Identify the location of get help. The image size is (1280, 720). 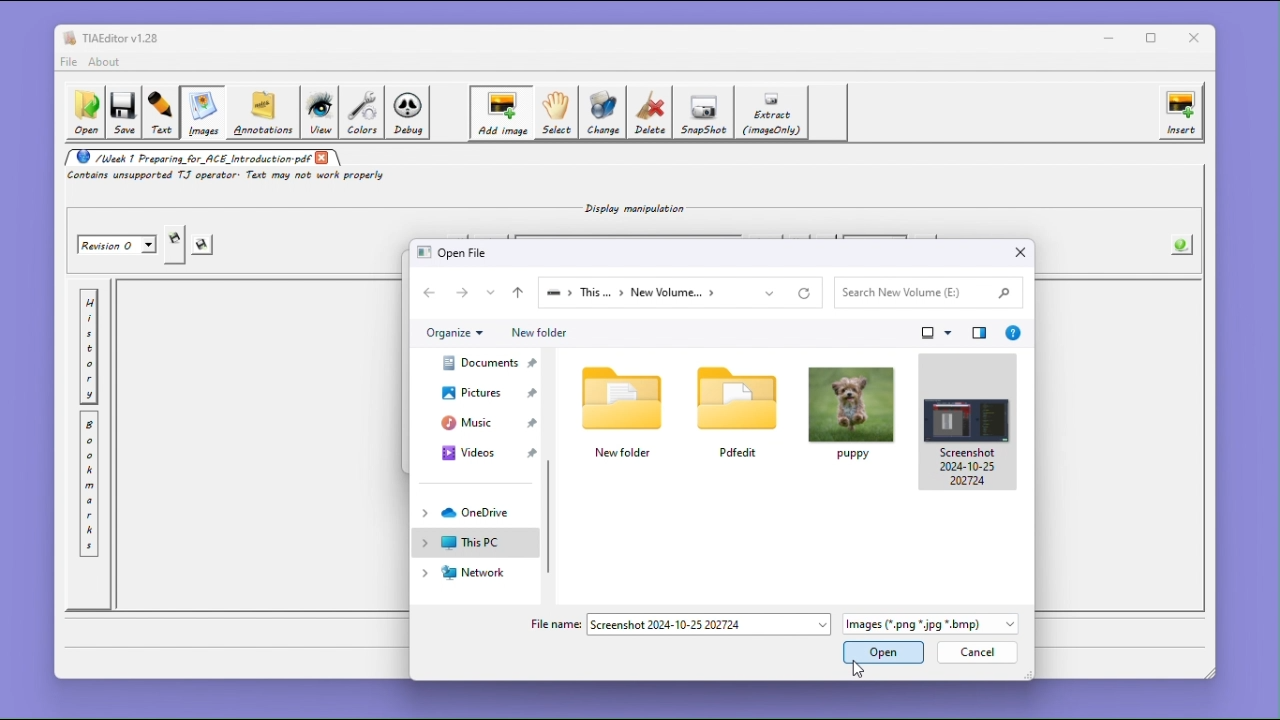
(1014, 332).